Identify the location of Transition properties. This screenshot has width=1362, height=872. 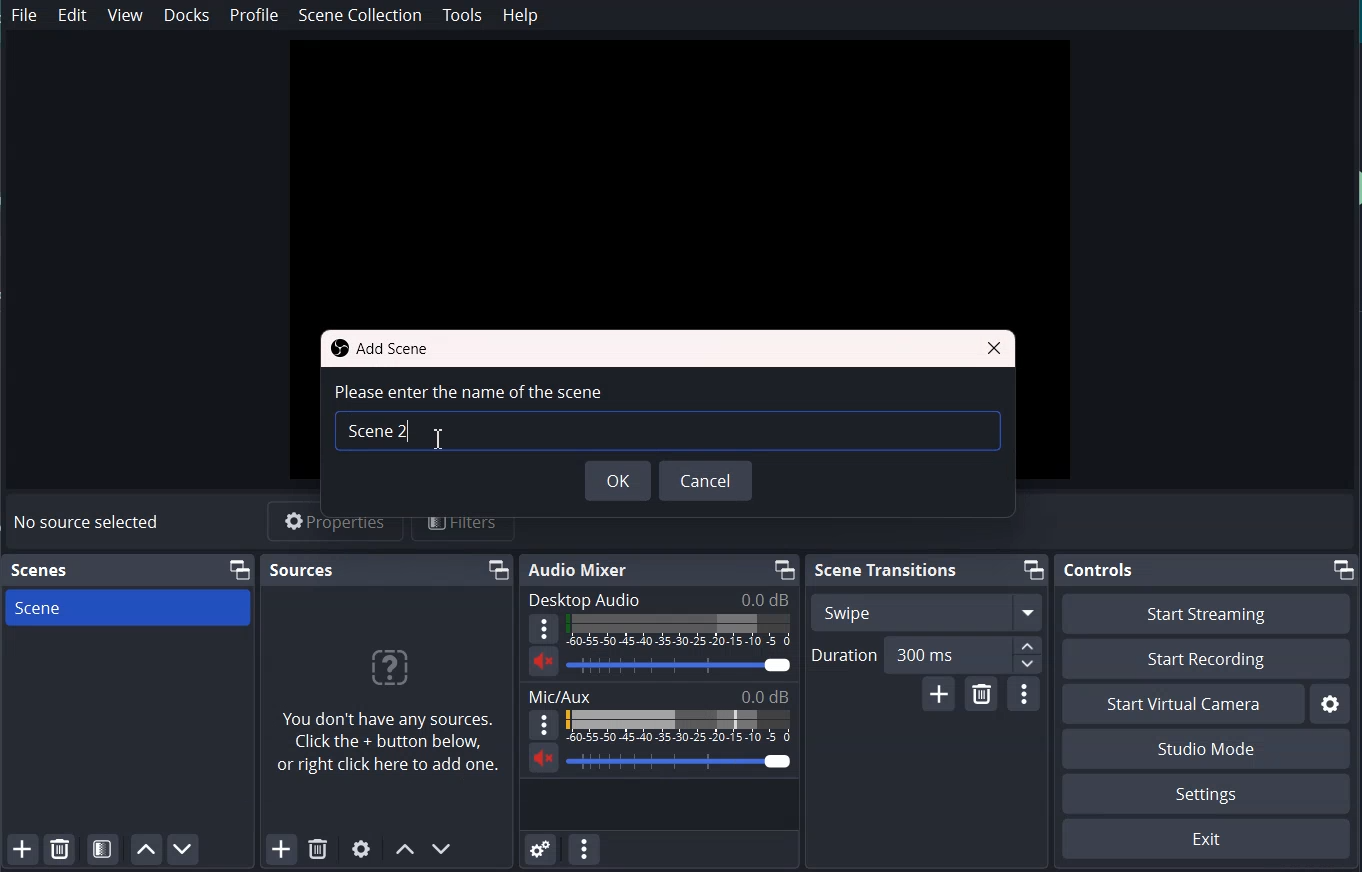
(1025, 695).